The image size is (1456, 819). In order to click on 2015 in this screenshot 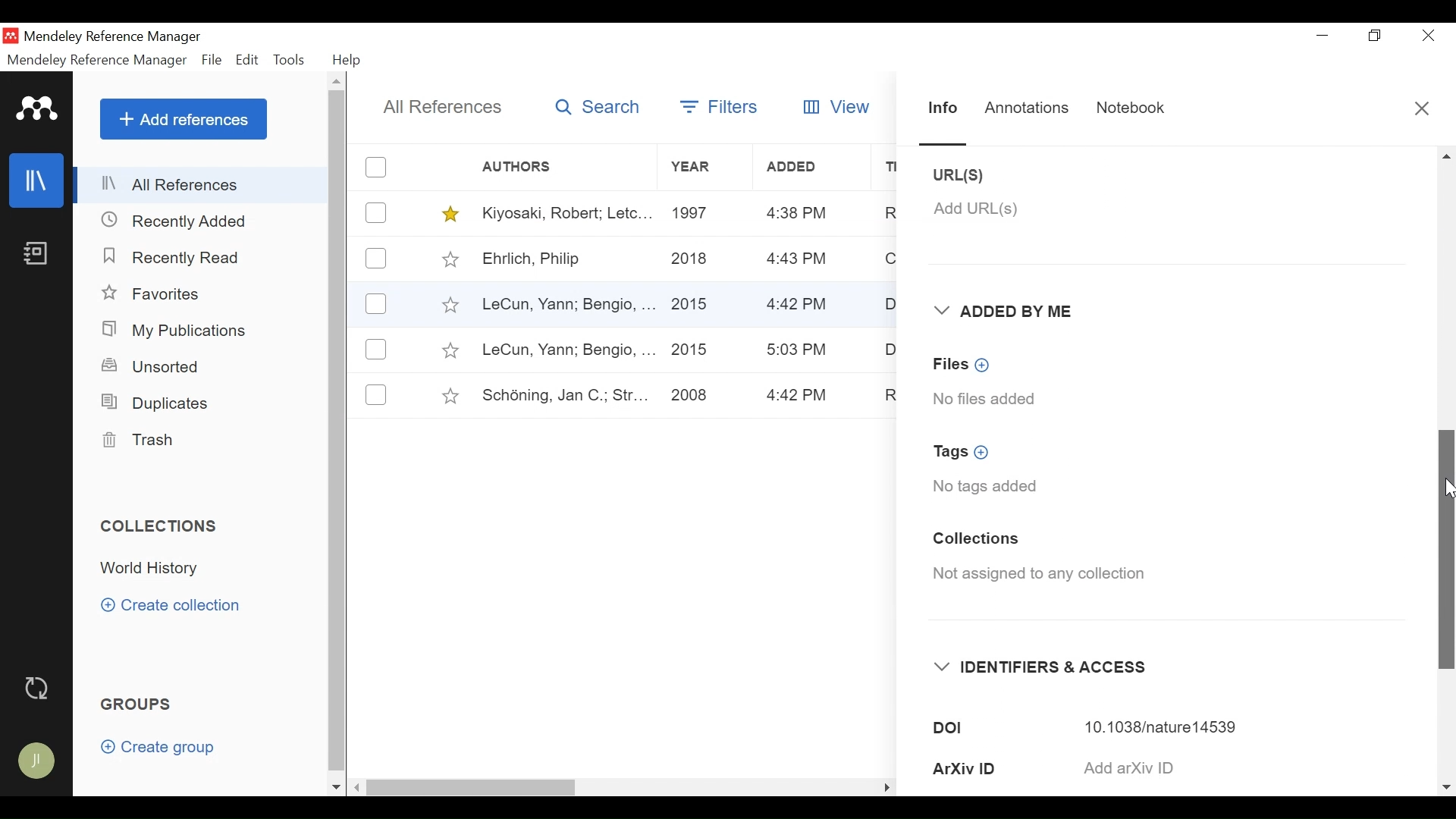, I will do `click(695, 298)`.